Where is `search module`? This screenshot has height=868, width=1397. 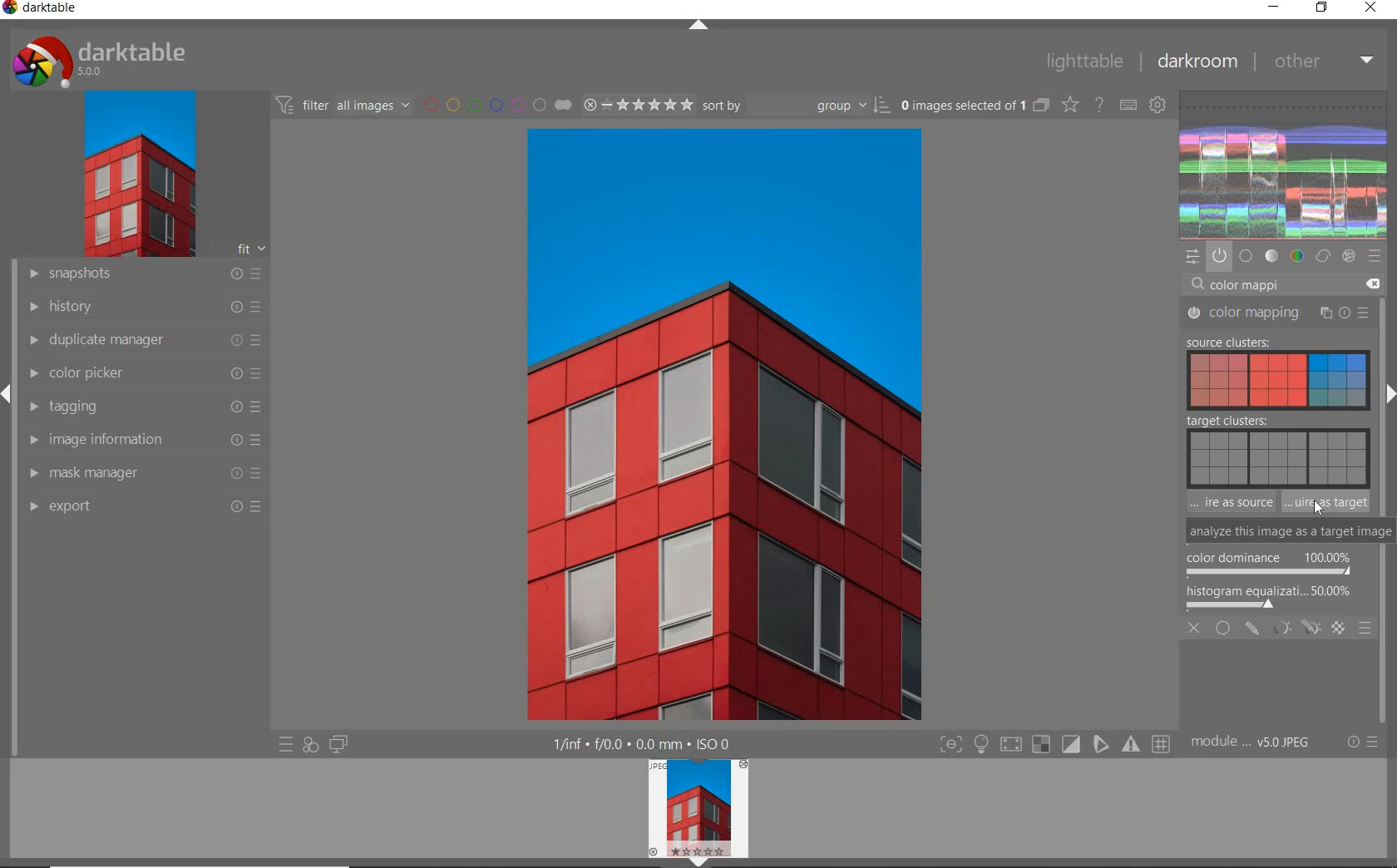 search module is located at coordinates (1286, 283).